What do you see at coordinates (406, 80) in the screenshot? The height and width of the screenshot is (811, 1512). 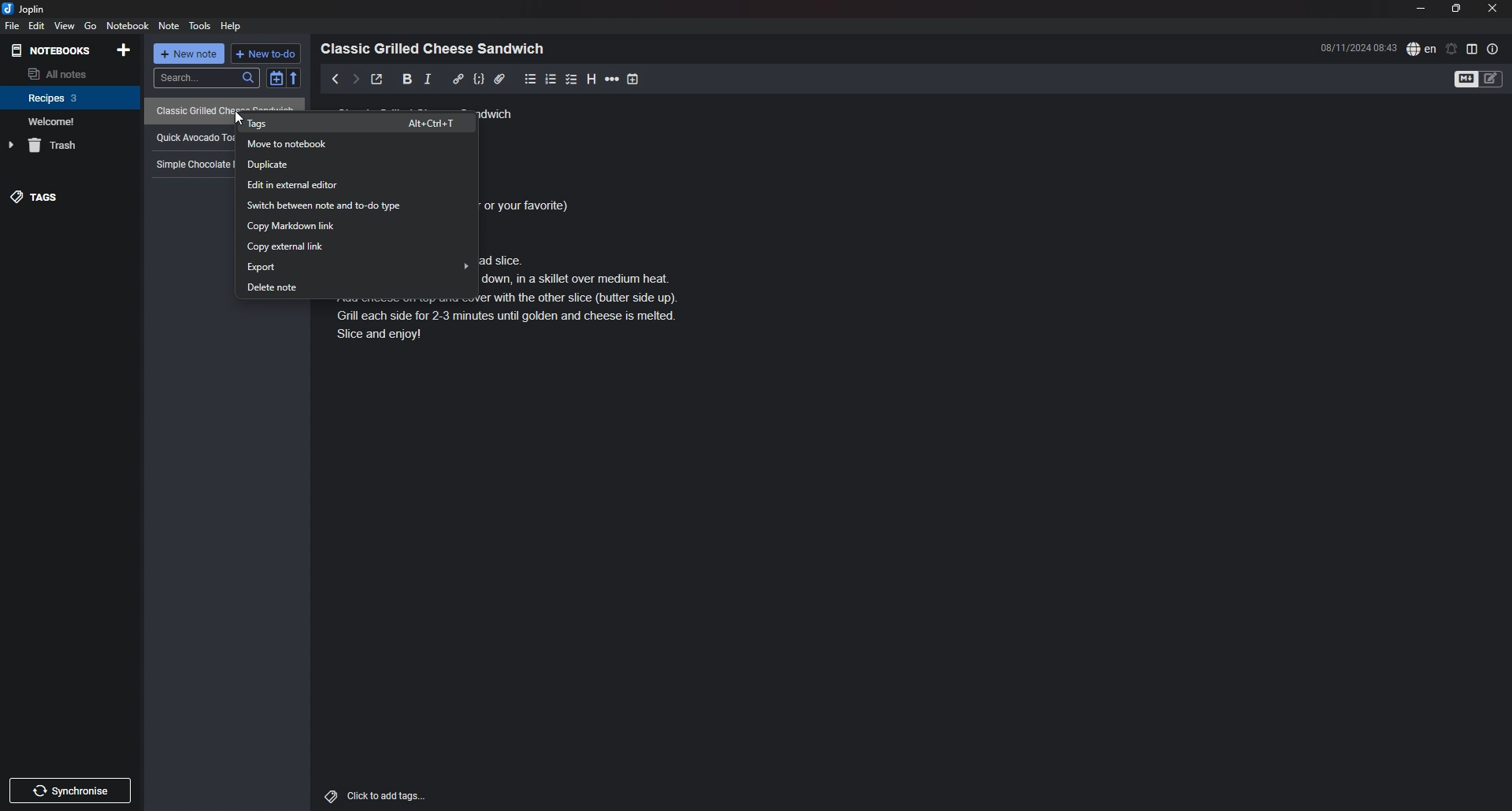 I see `bold` at bounding box center [406, 80].